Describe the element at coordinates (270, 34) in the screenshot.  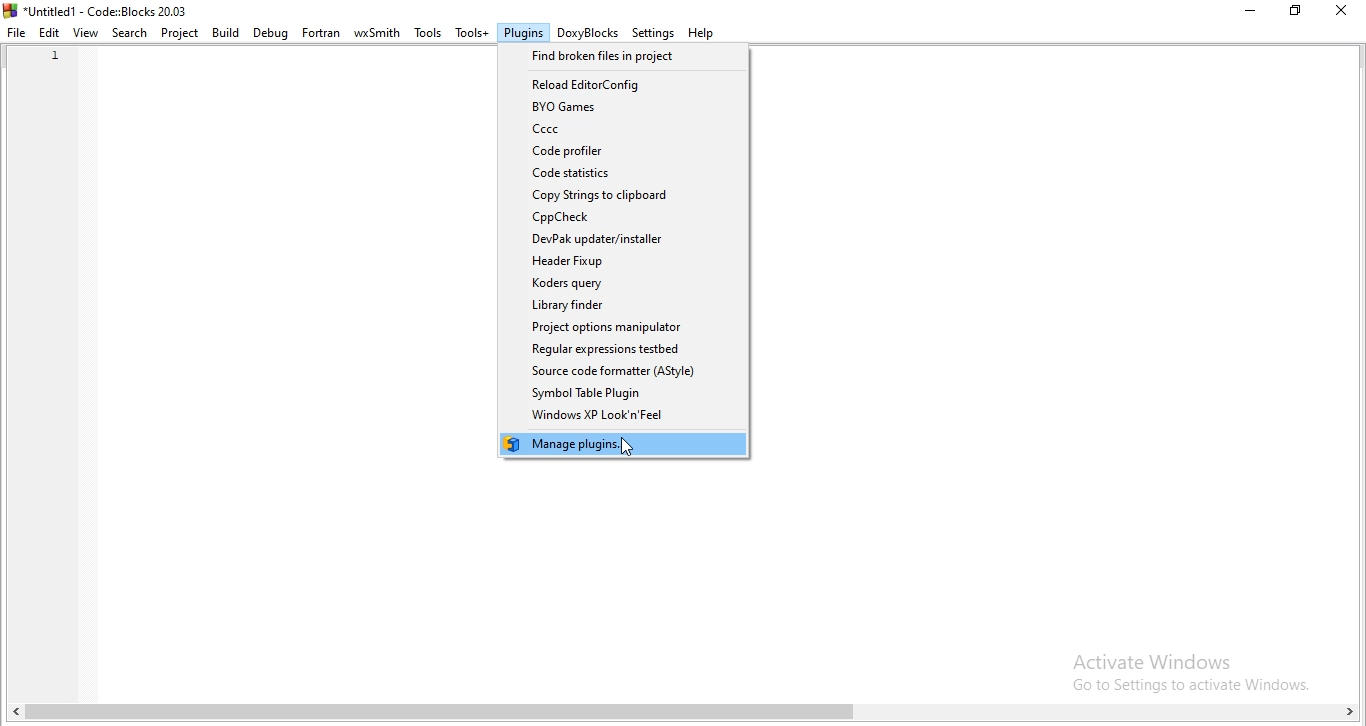
I see `Debug` at that location.